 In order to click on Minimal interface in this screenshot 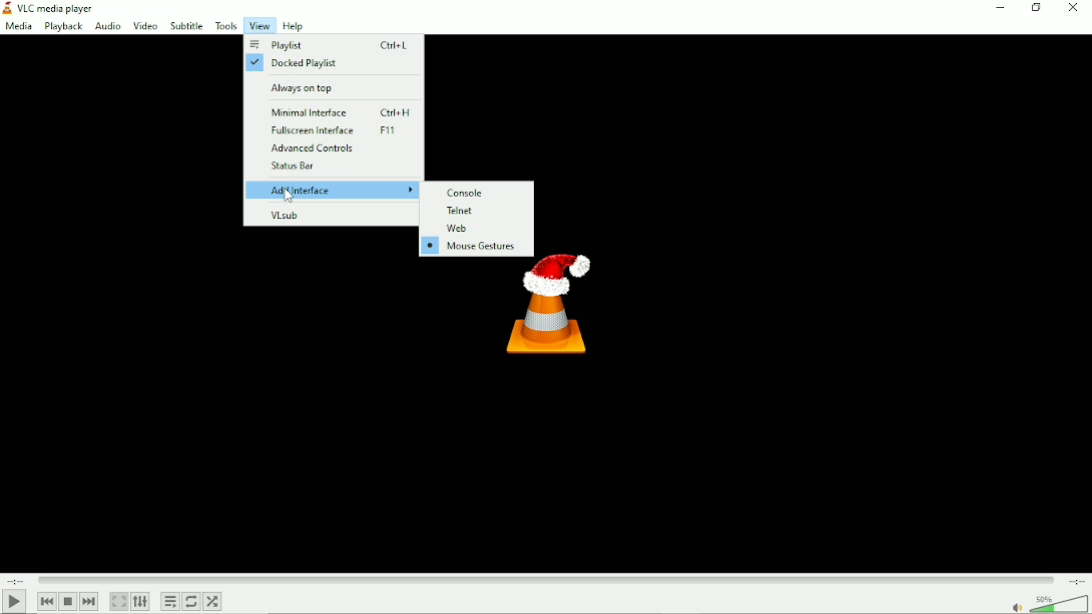, I will do `click(336, 110)`.